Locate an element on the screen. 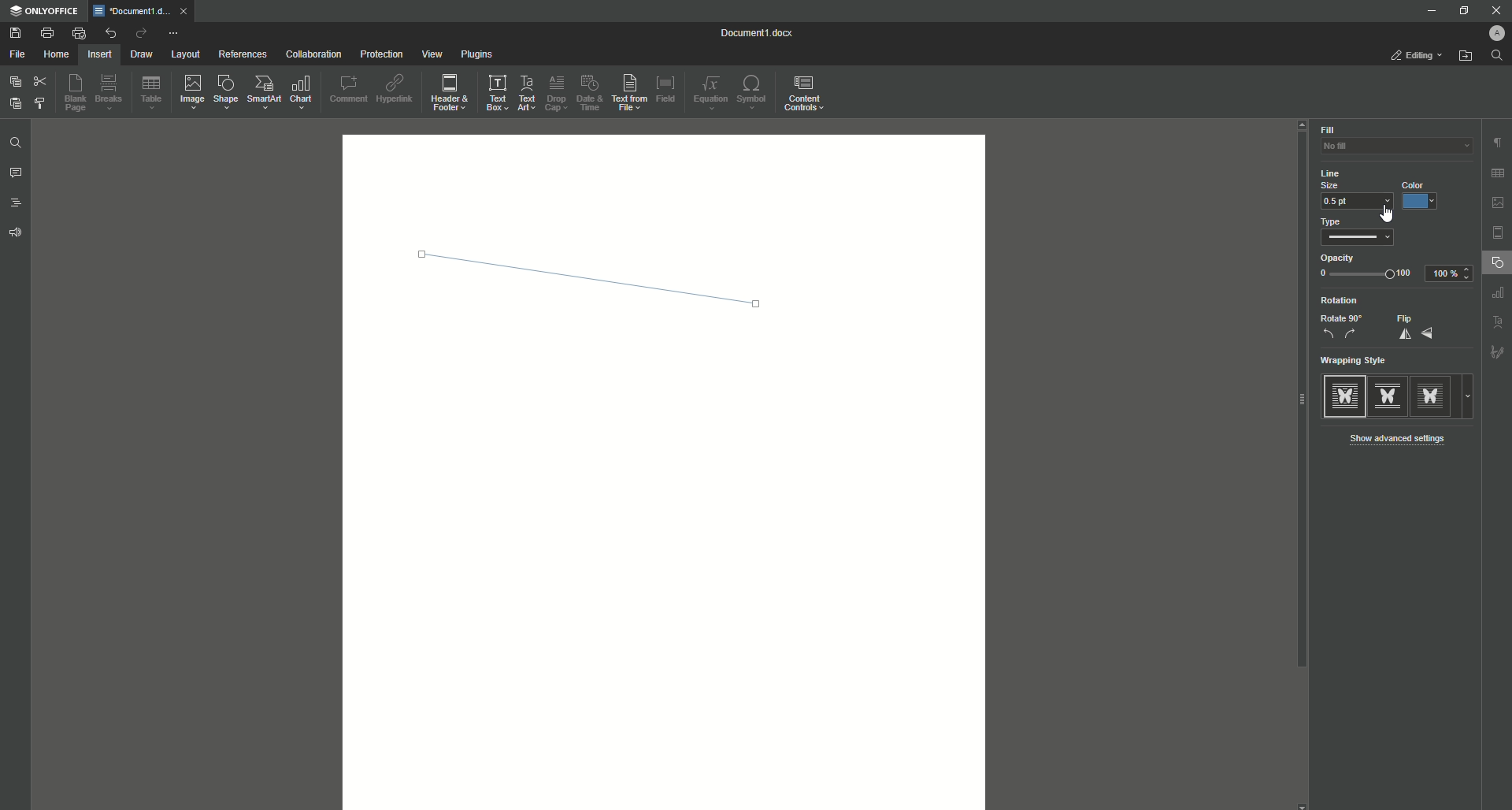 The width and height of the screenshot is (1512, 810).  is located at coordinates (1303, 529).